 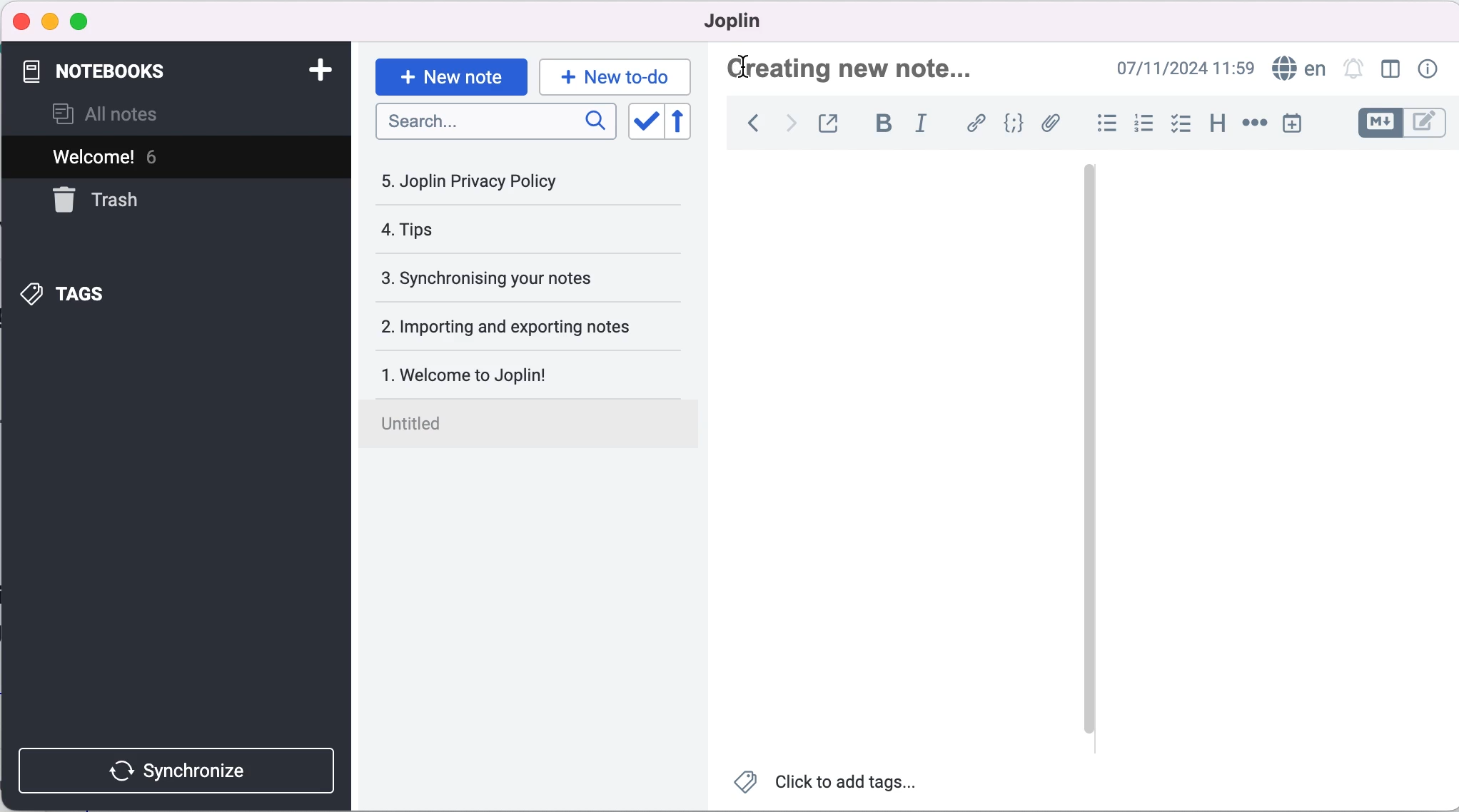 I want to click on welcome to joplin!, so click(x=519, y=374).